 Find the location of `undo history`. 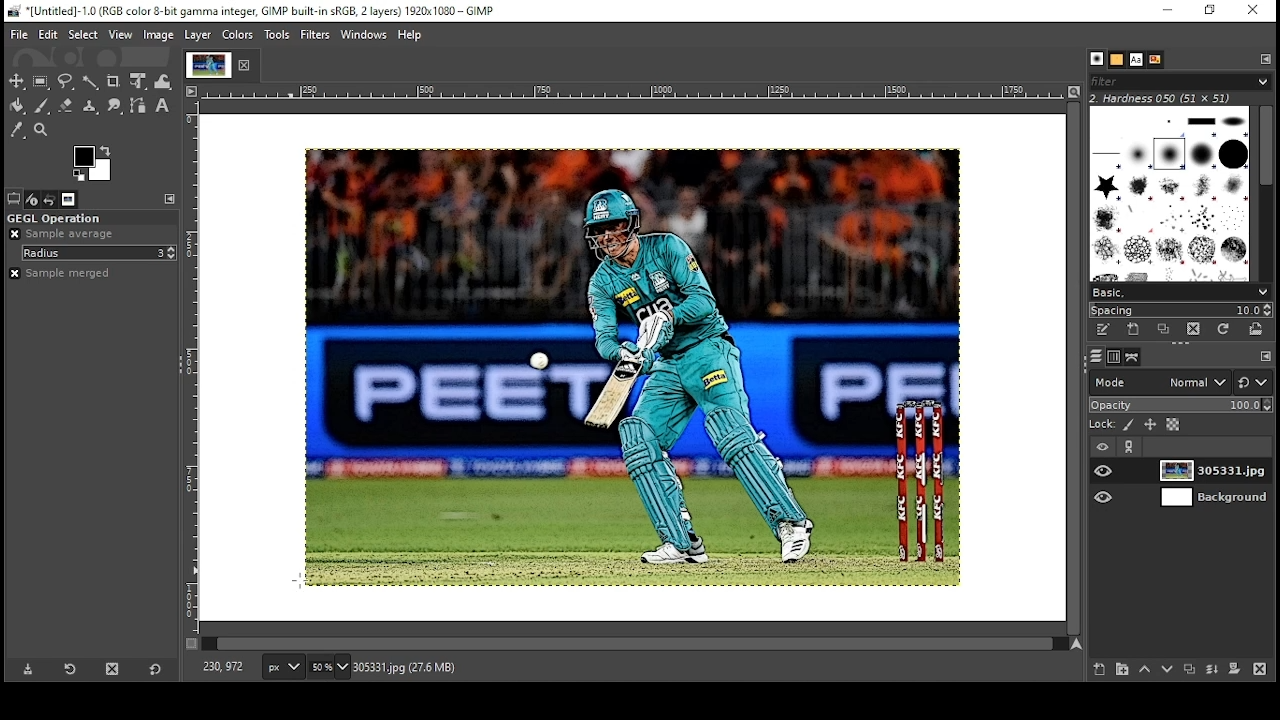

undo history is located at coordinates (50, 200).